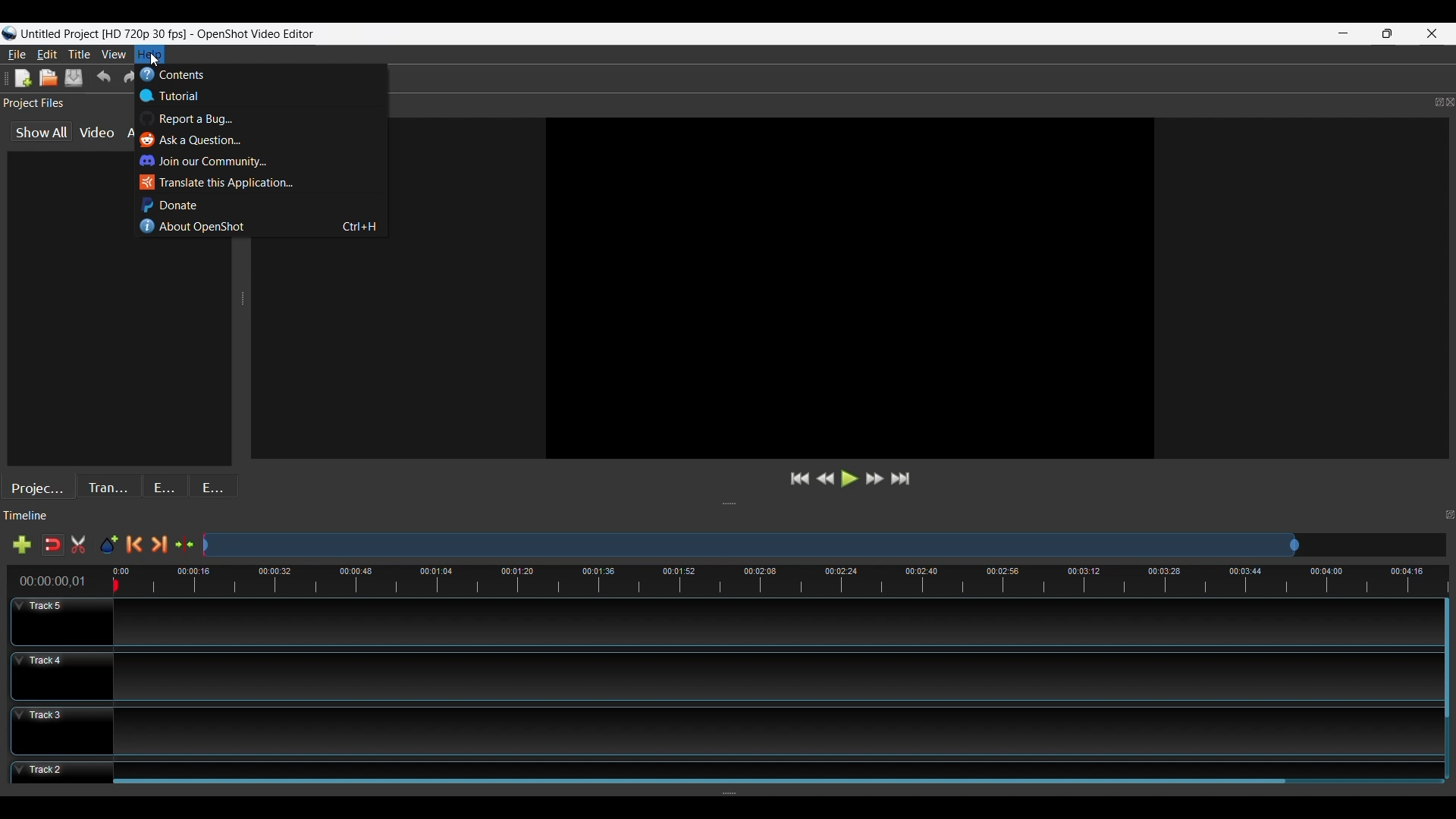 This screenshot has width=1456, height=819. Describe the element at coordinates (47, 53) in the screenshot. I see `Edit` at that location.